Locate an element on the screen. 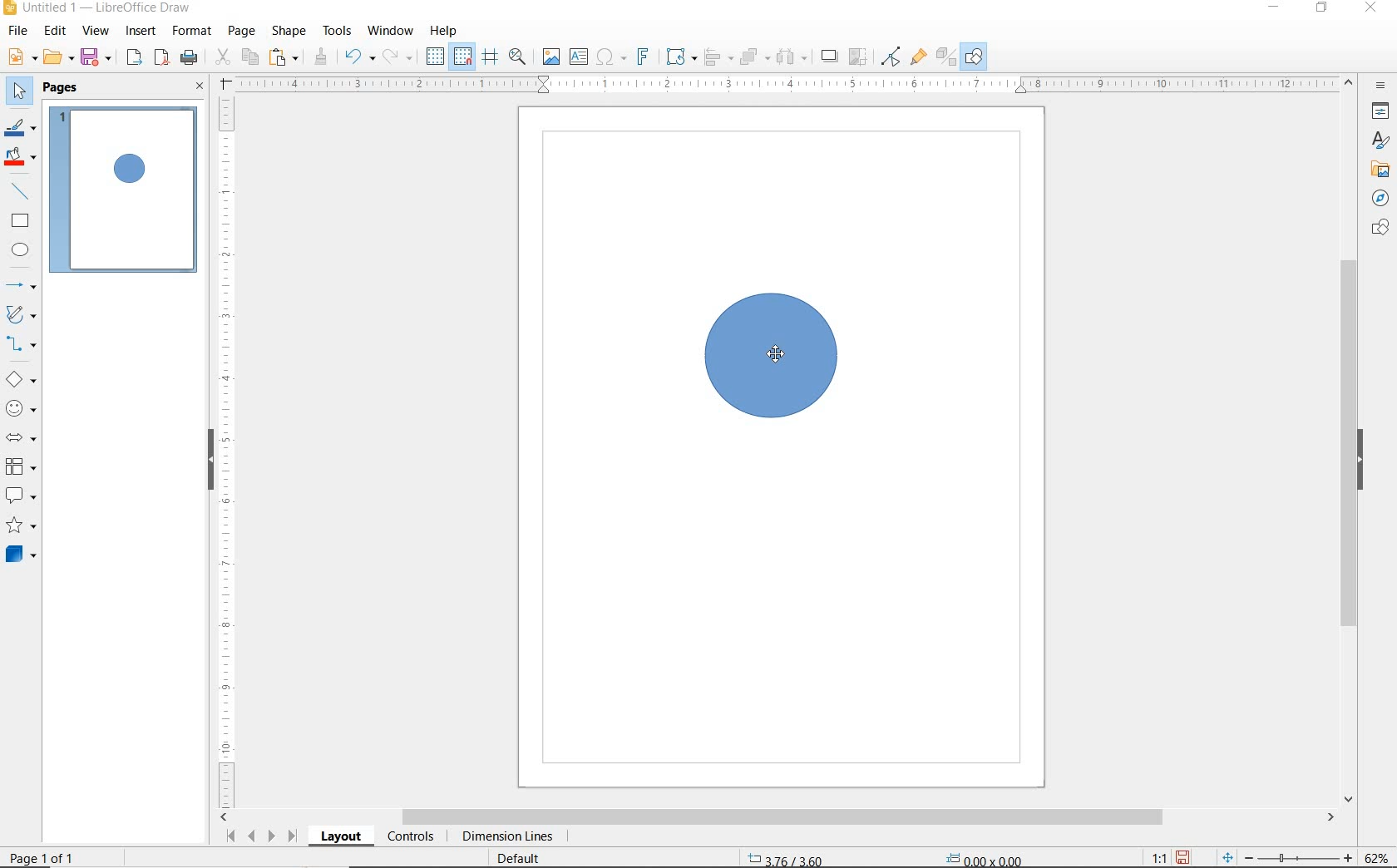  NEW is located at coordinates (23, 57).